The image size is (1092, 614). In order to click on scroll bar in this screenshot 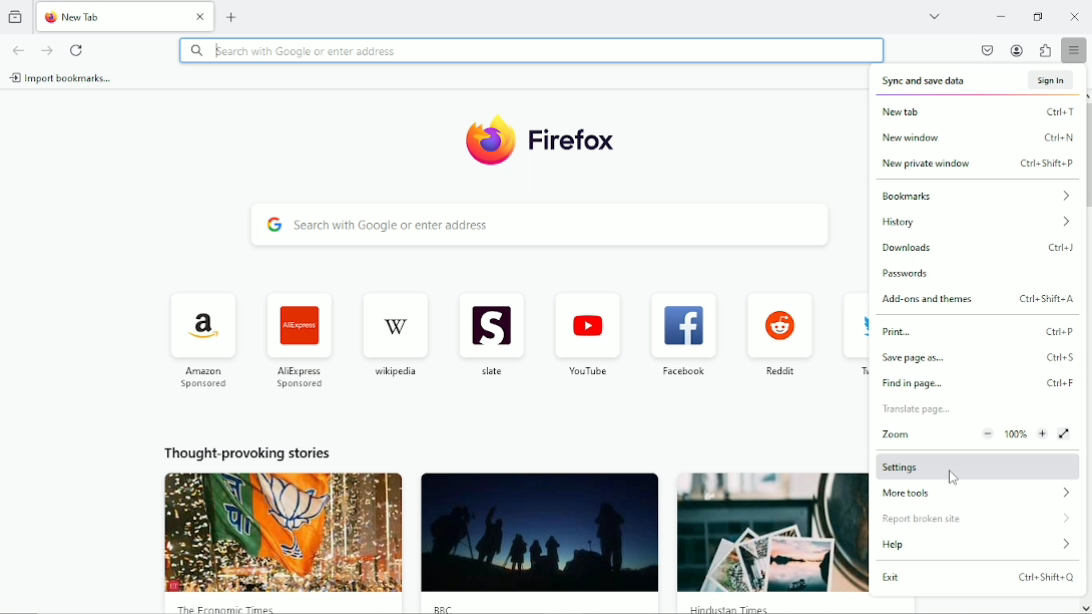, I will do `click(1085, 157)`.